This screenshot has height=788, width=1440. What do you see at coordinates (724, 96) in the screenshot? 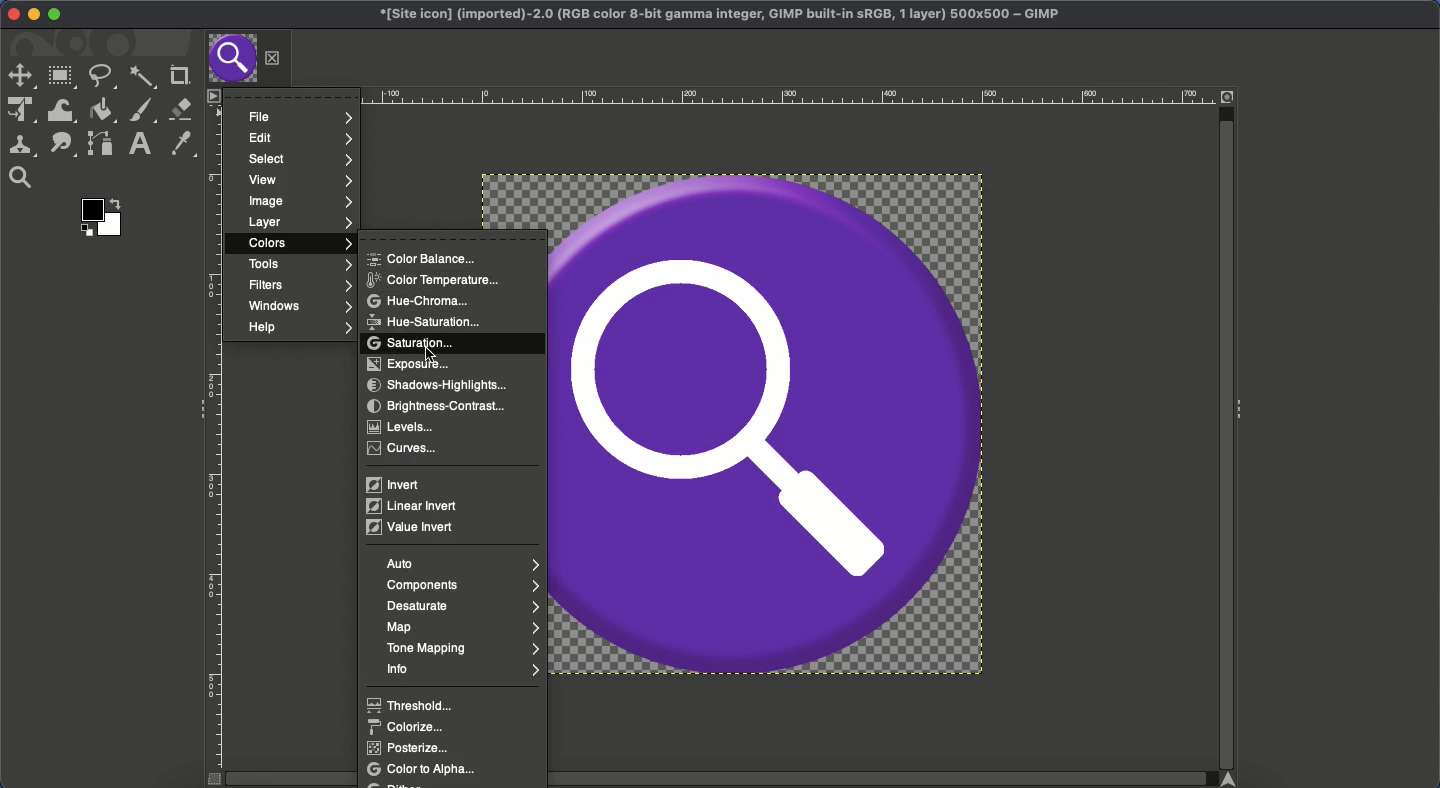
I see `Ruler` at bounding box center [724, 96].